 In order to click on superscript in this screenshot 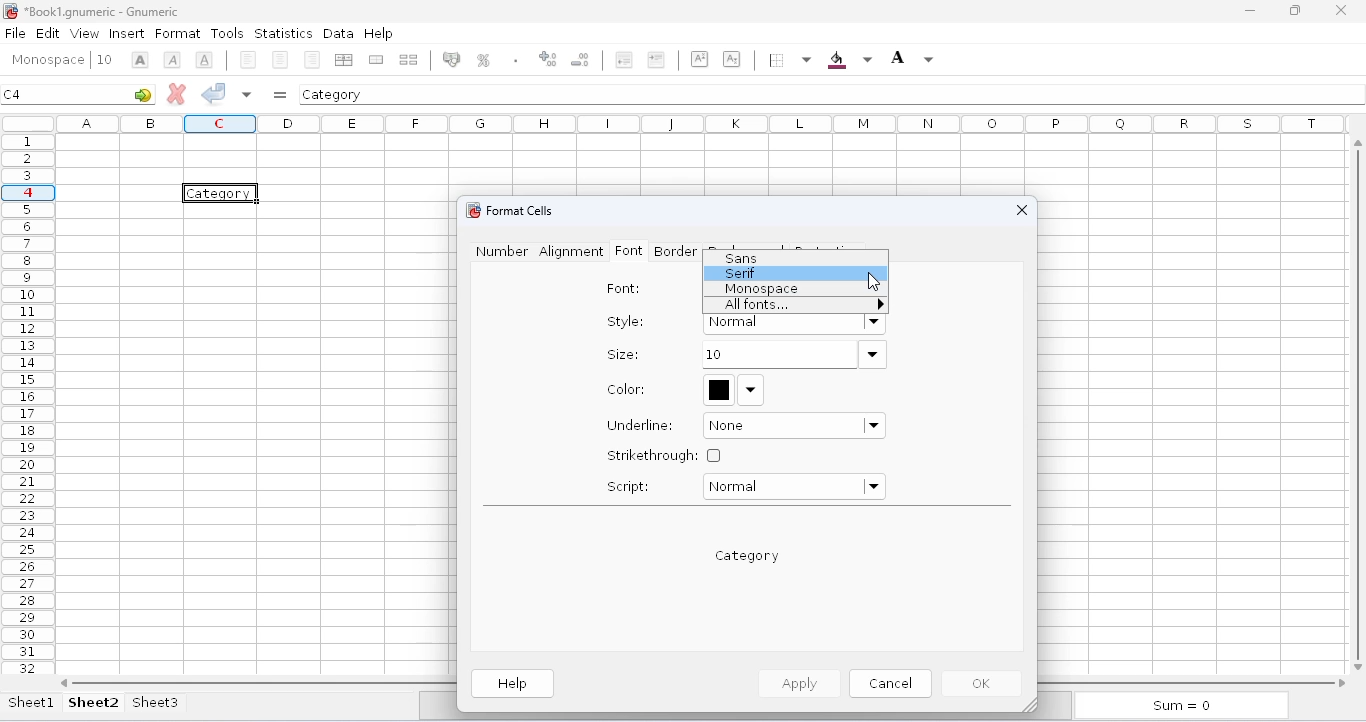, I will do `click(700, 59)`.